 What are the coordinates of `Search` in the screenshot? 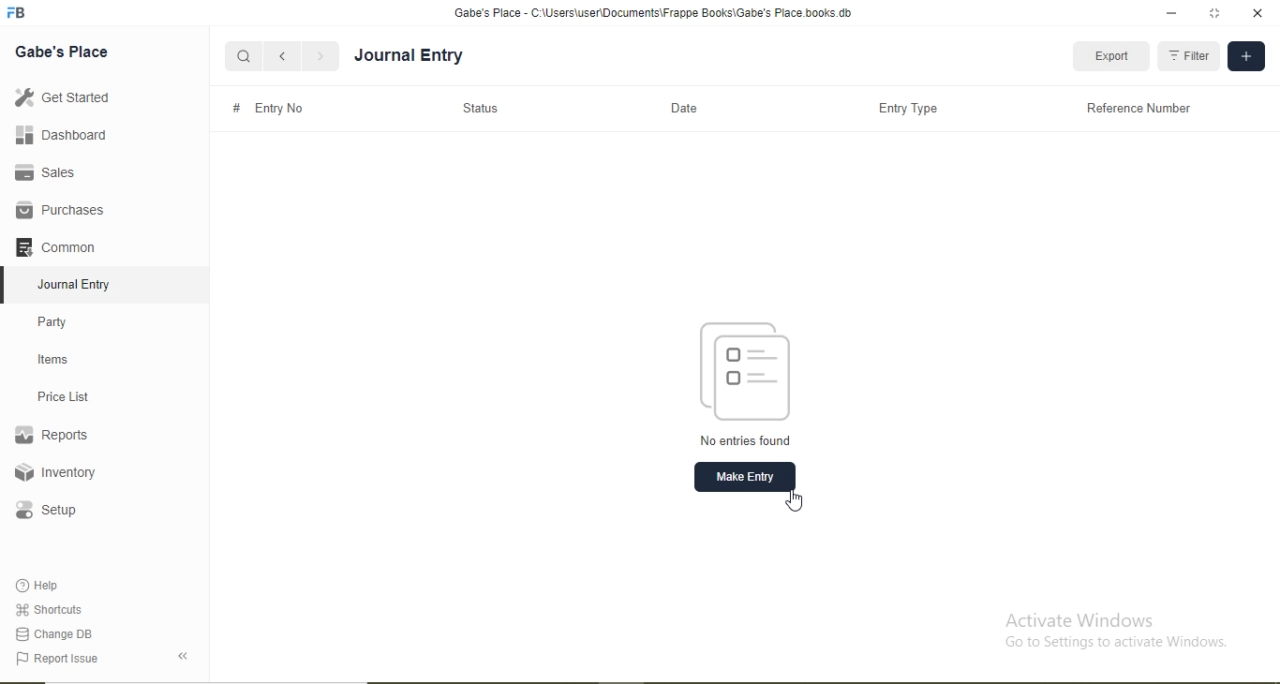 It's located at (242, 57).